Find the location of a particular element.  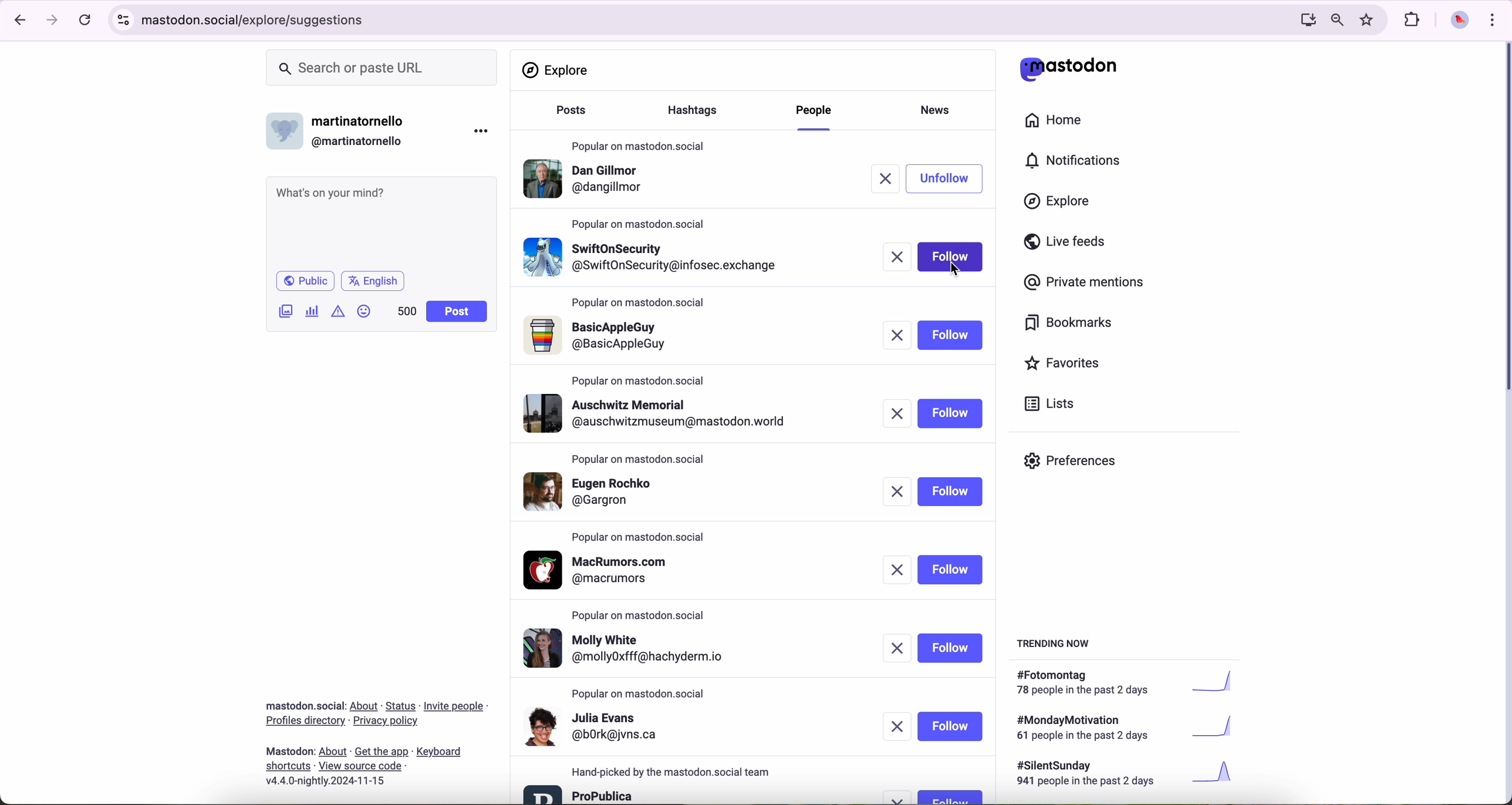

popular on mastodon.social is located at coordinates (640, 538).